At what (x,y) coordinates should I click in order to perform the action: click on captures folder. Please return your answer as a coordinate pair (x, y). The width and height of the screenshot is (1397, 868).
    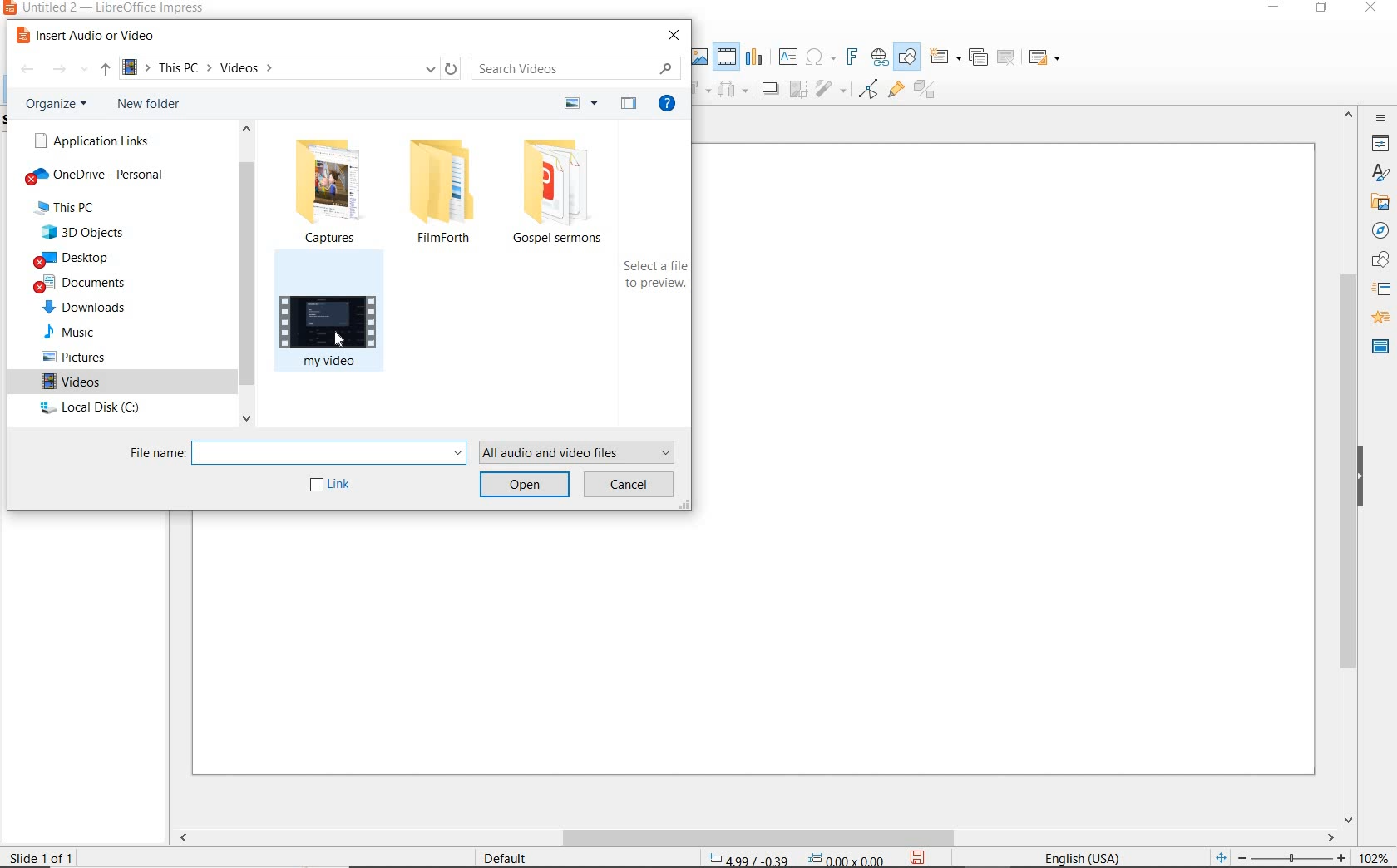
    Looking at the image, I should click on (332, 189).